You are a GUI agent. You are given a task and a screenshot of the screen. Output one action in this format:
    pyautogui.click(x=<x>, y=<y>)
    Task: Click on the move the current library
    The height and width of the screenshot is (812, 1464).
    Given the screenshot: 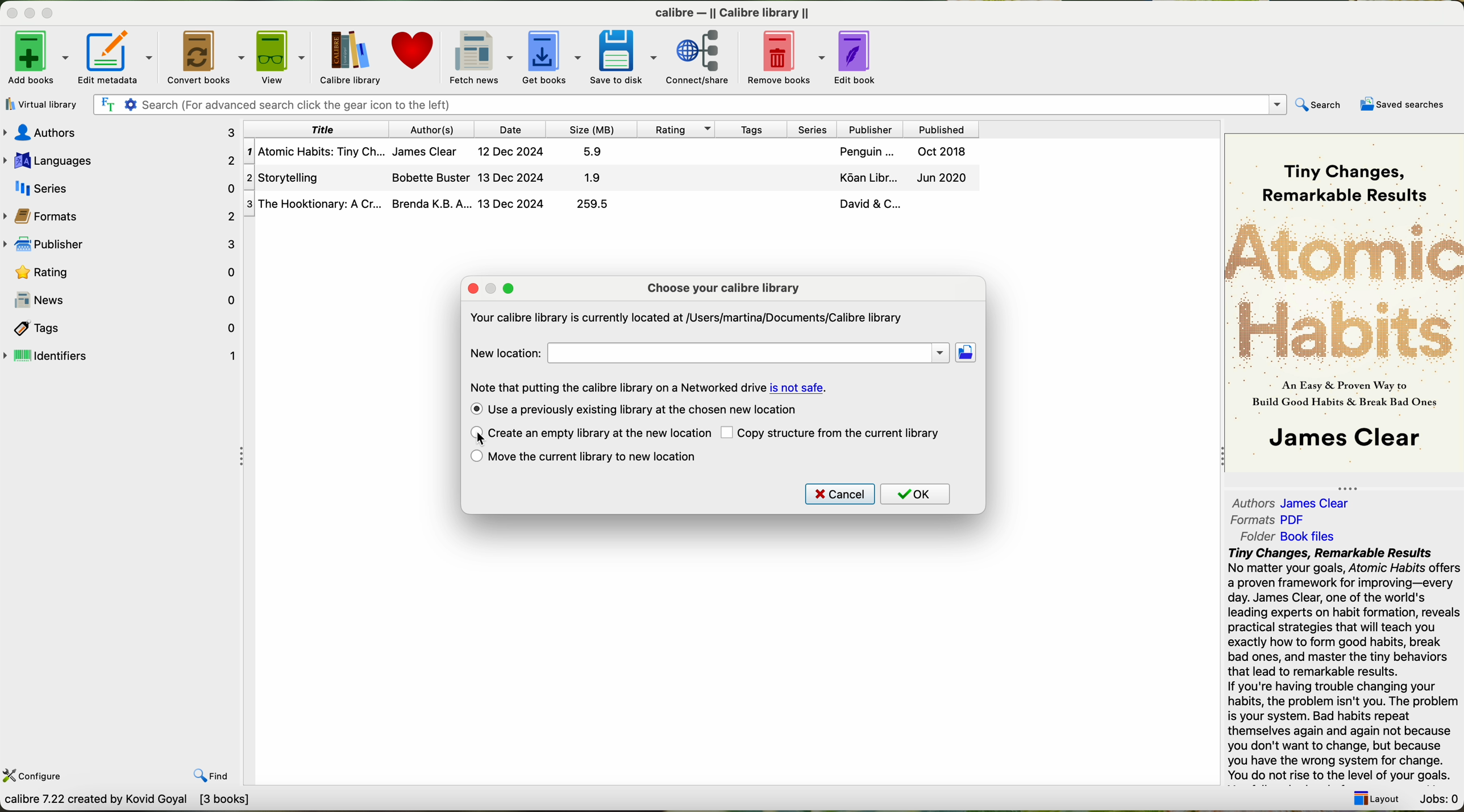 What is the action you would take?
    pyautogui.click(x=584, y=457)
    